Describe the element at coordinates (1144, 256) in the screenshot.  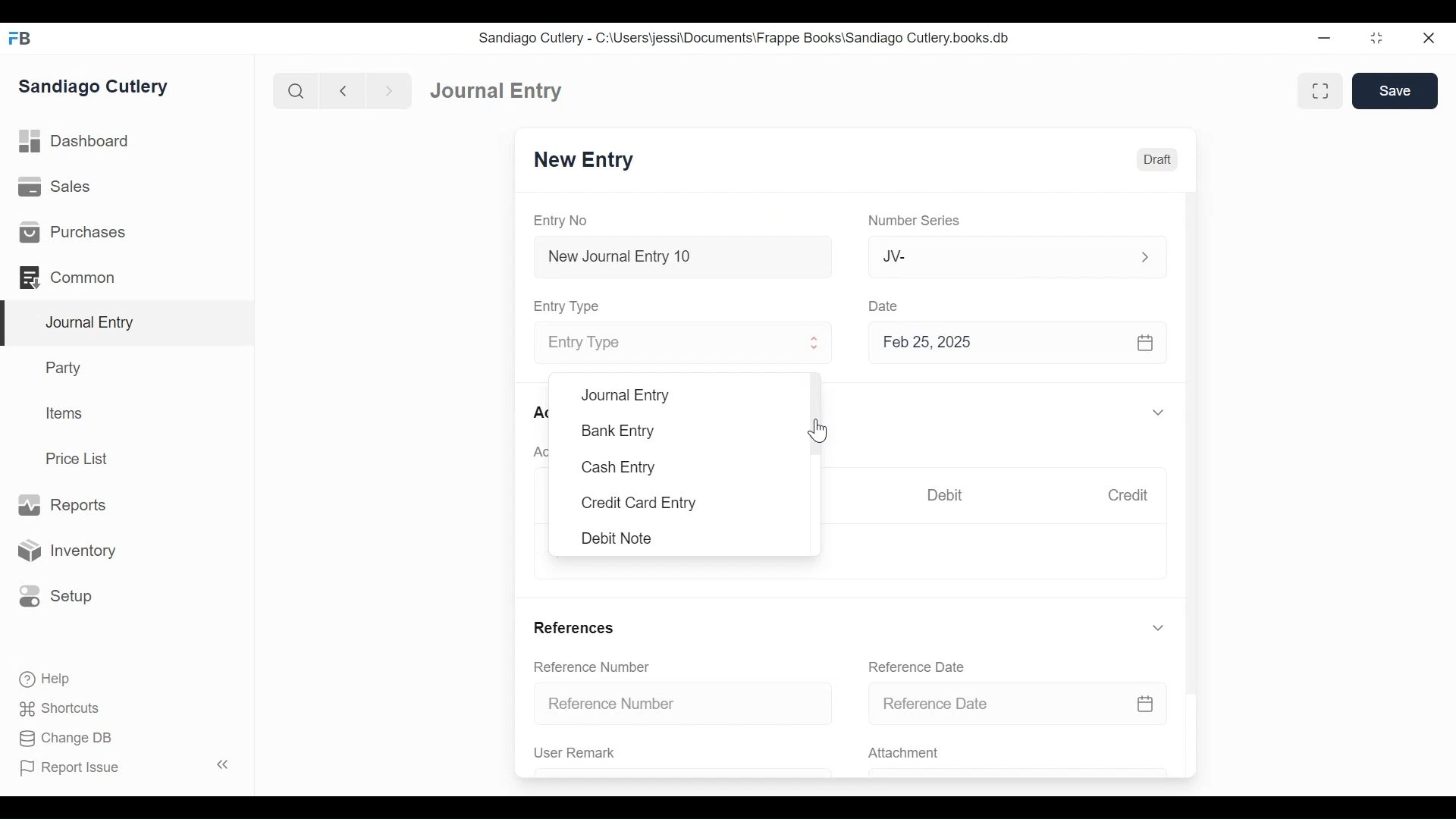
I see `Expand` at that location.